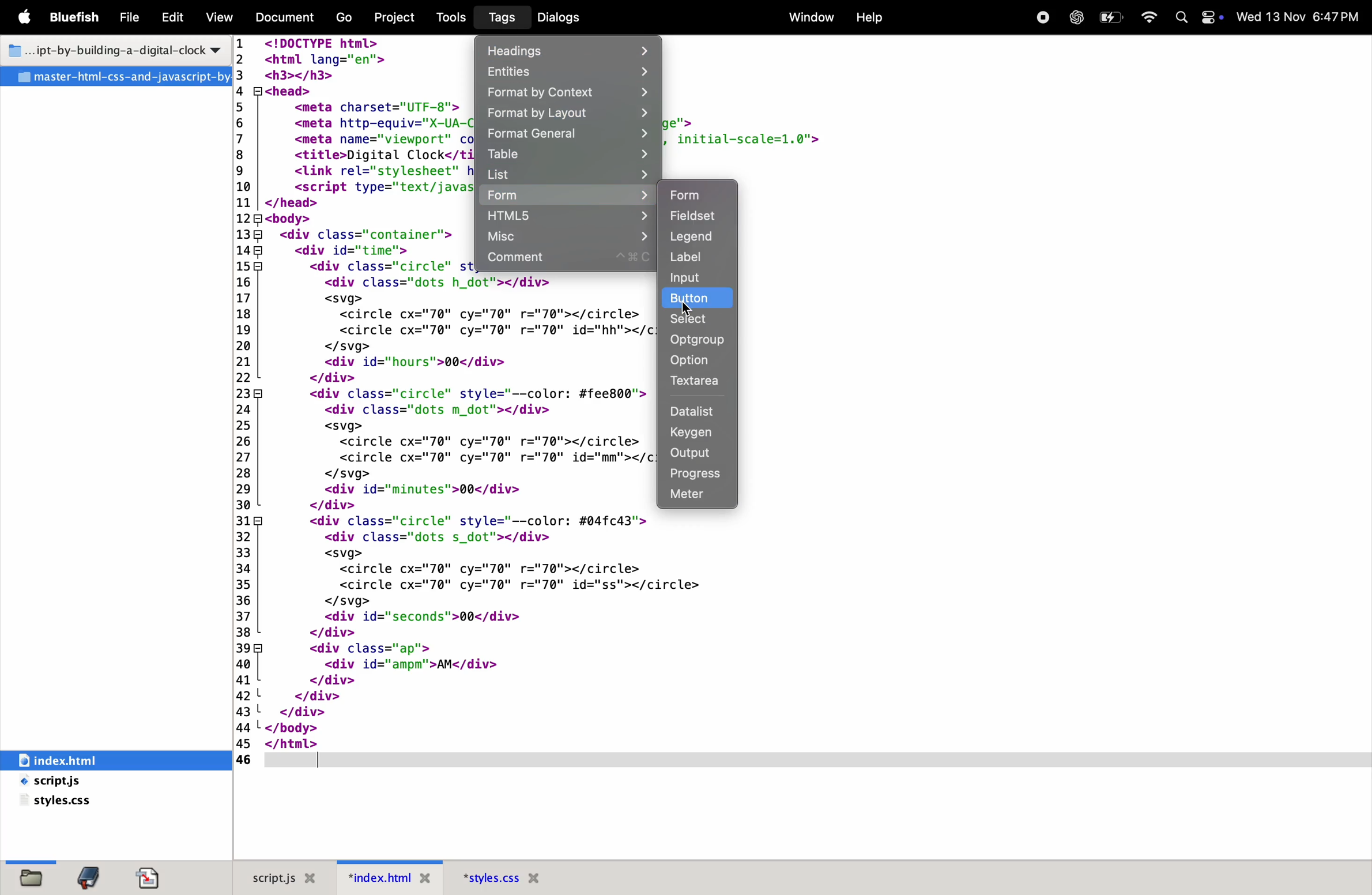 The image size is (1372, 895). I want to click on input, so click(701, 278).